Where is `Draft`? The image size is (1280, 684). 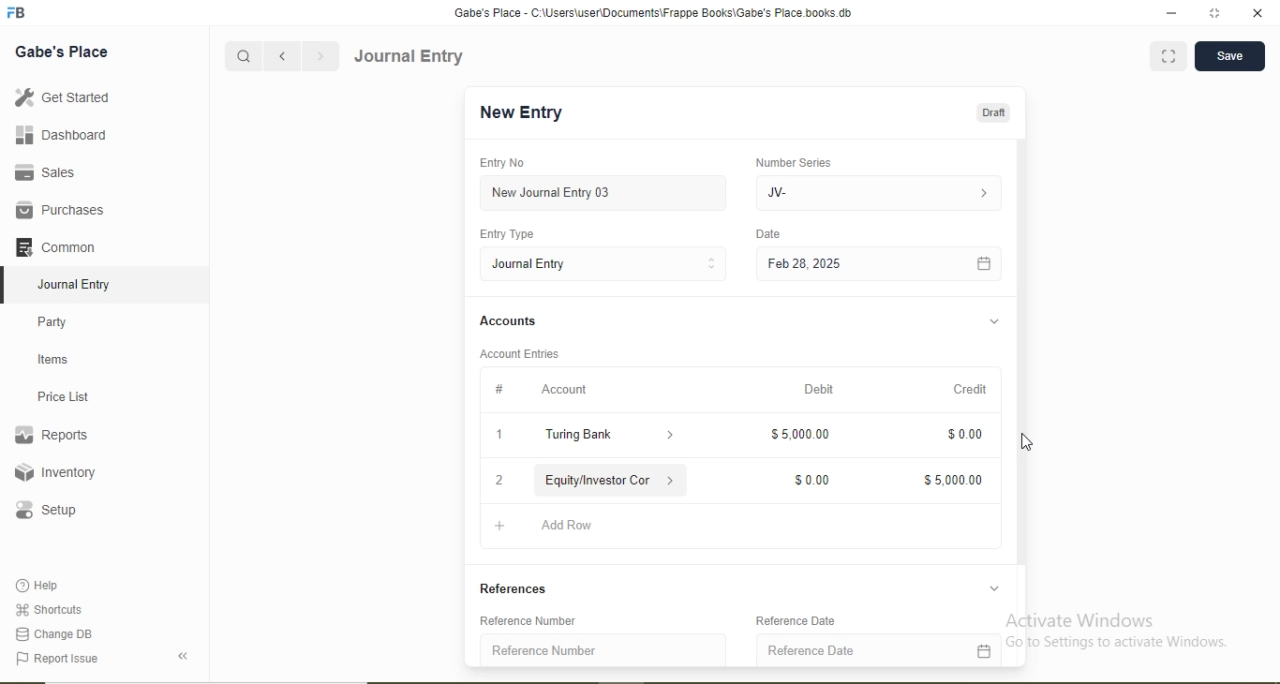 Draft is located at coordinates (993, 114).